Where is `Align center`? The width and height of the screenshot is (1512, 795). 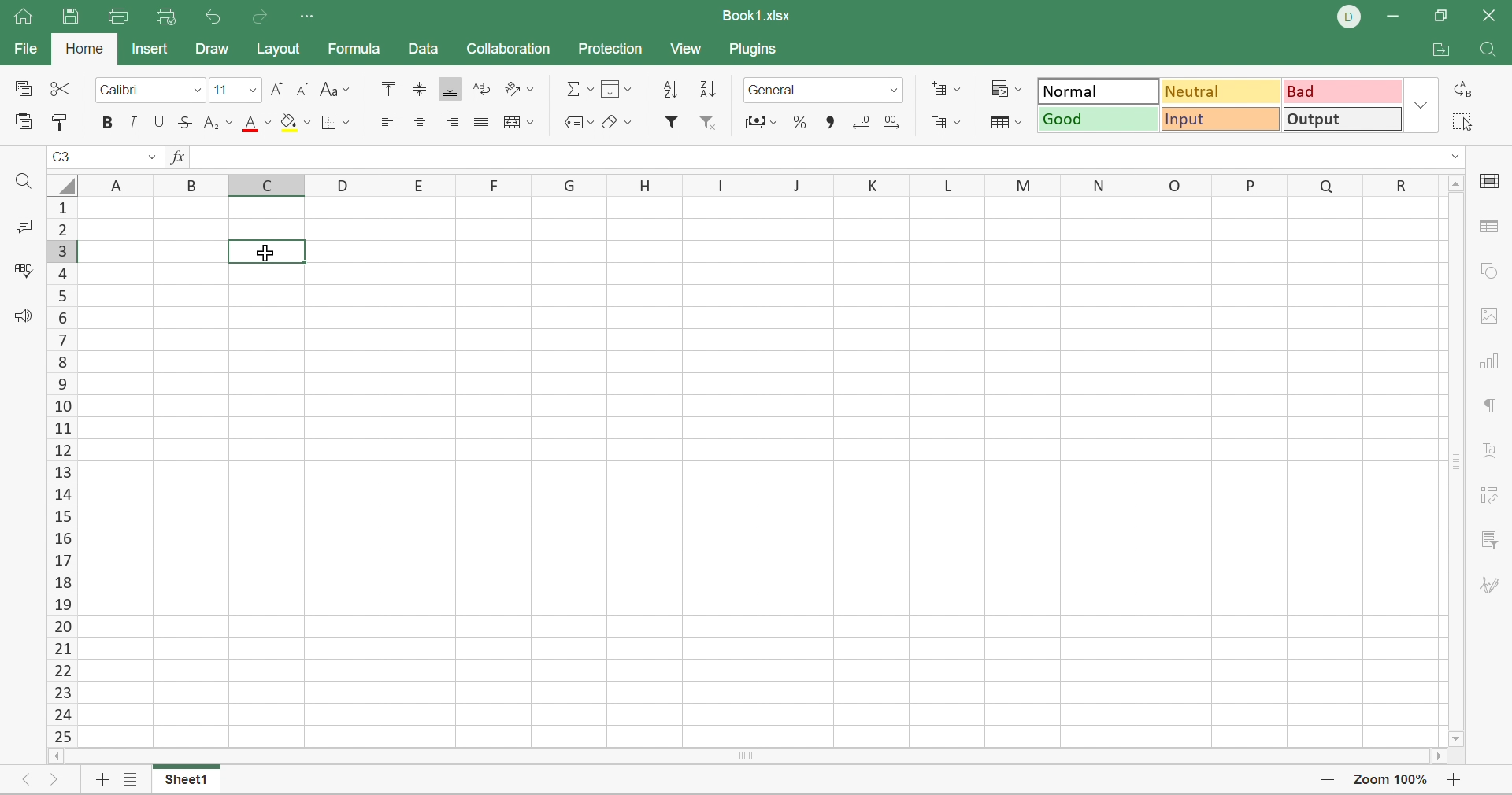
Align center is located at coordinates (421, 122).